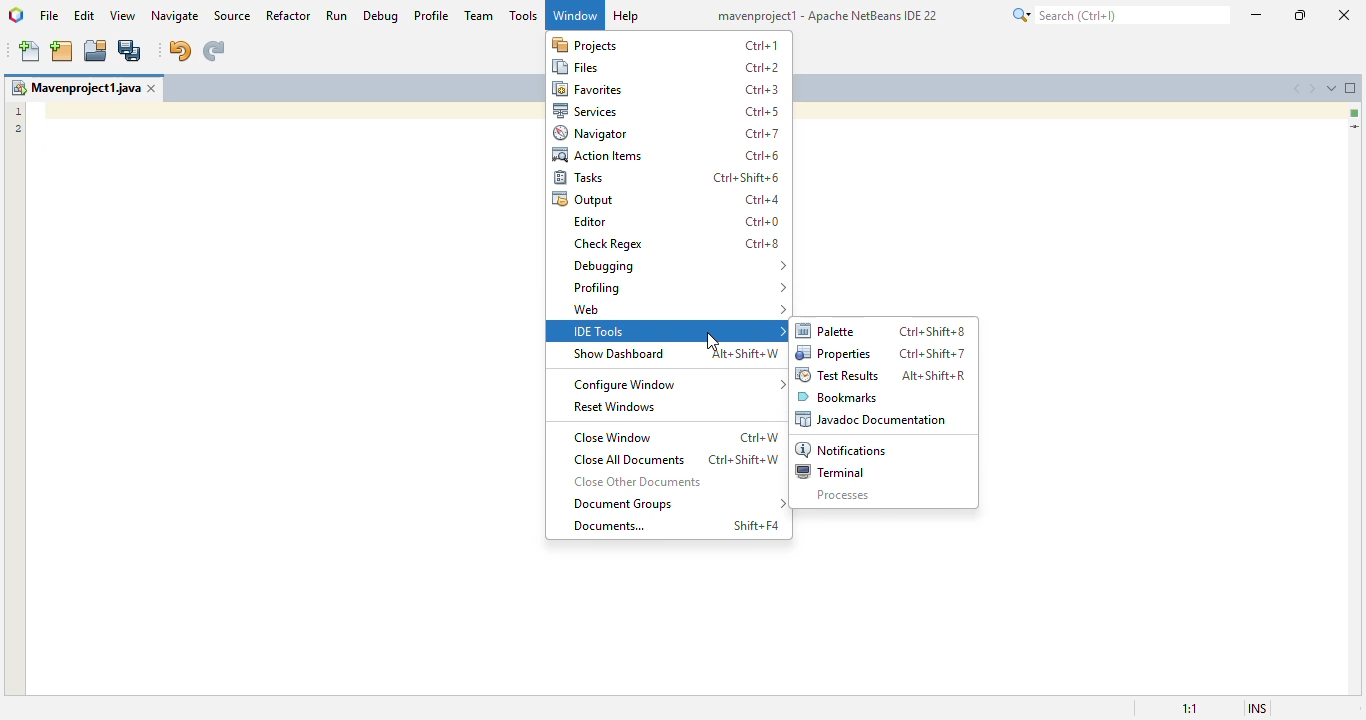  What do you see at coordinates (289, 15) in the screenshot?
I see `refactor` at bounding box center [289, 15].